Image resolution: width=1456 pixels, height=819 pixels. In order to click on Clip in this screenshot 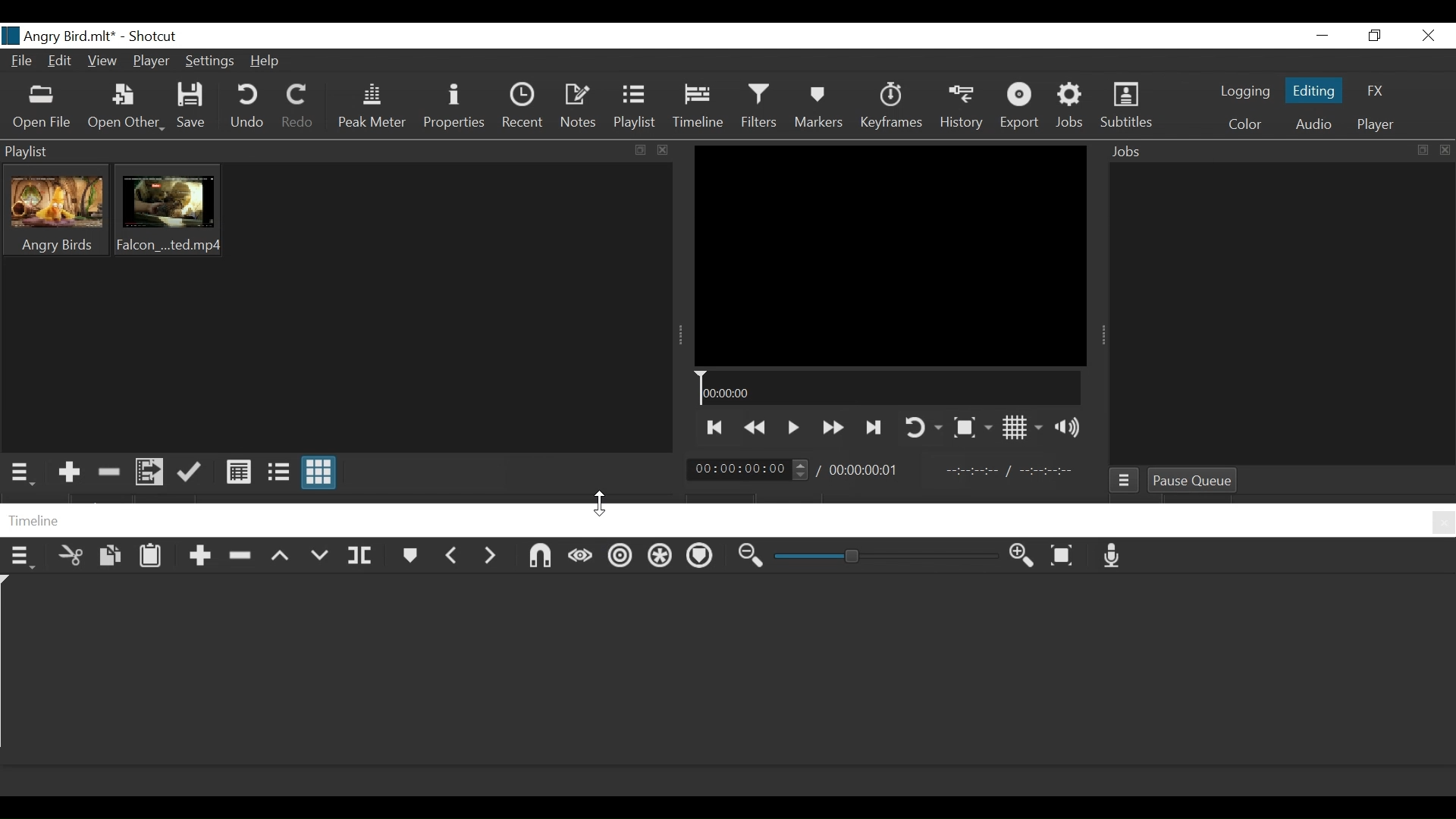, I will do `click(168, 210)`.